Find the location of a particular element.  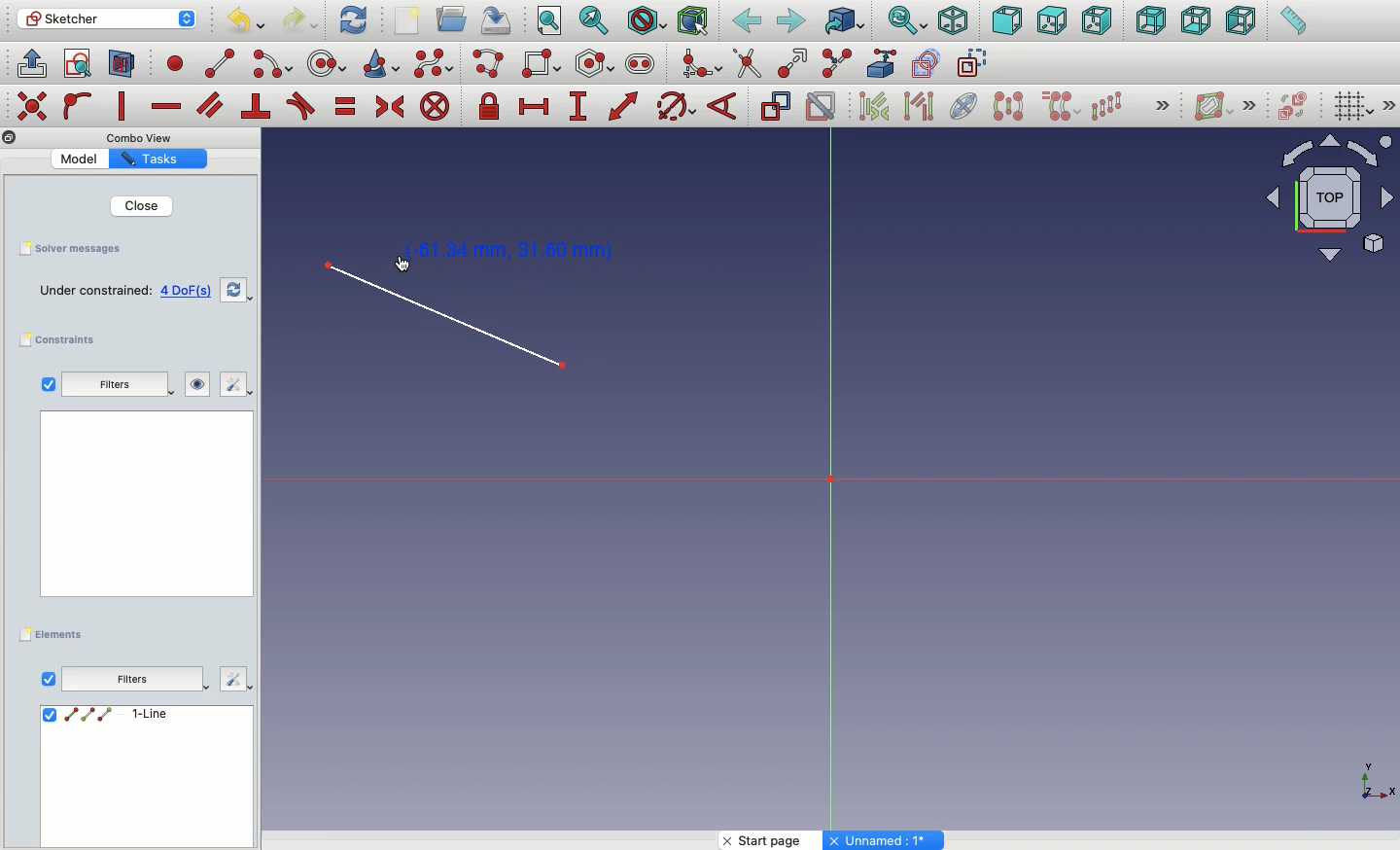

 is located at coordinates (145, 138).